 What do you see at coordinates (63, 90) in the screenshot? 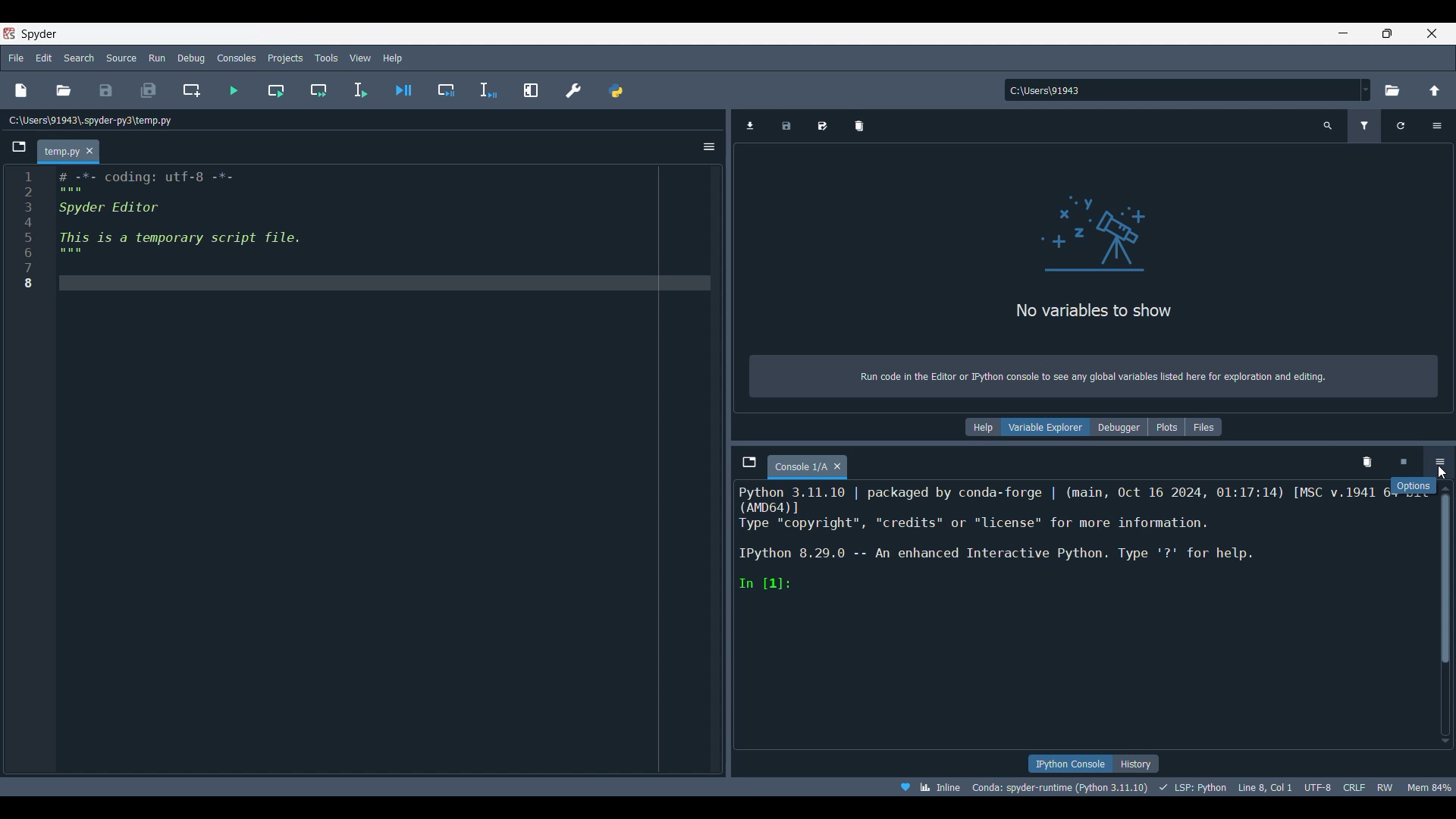
I see `Open file` at bounding box center [63, 90].